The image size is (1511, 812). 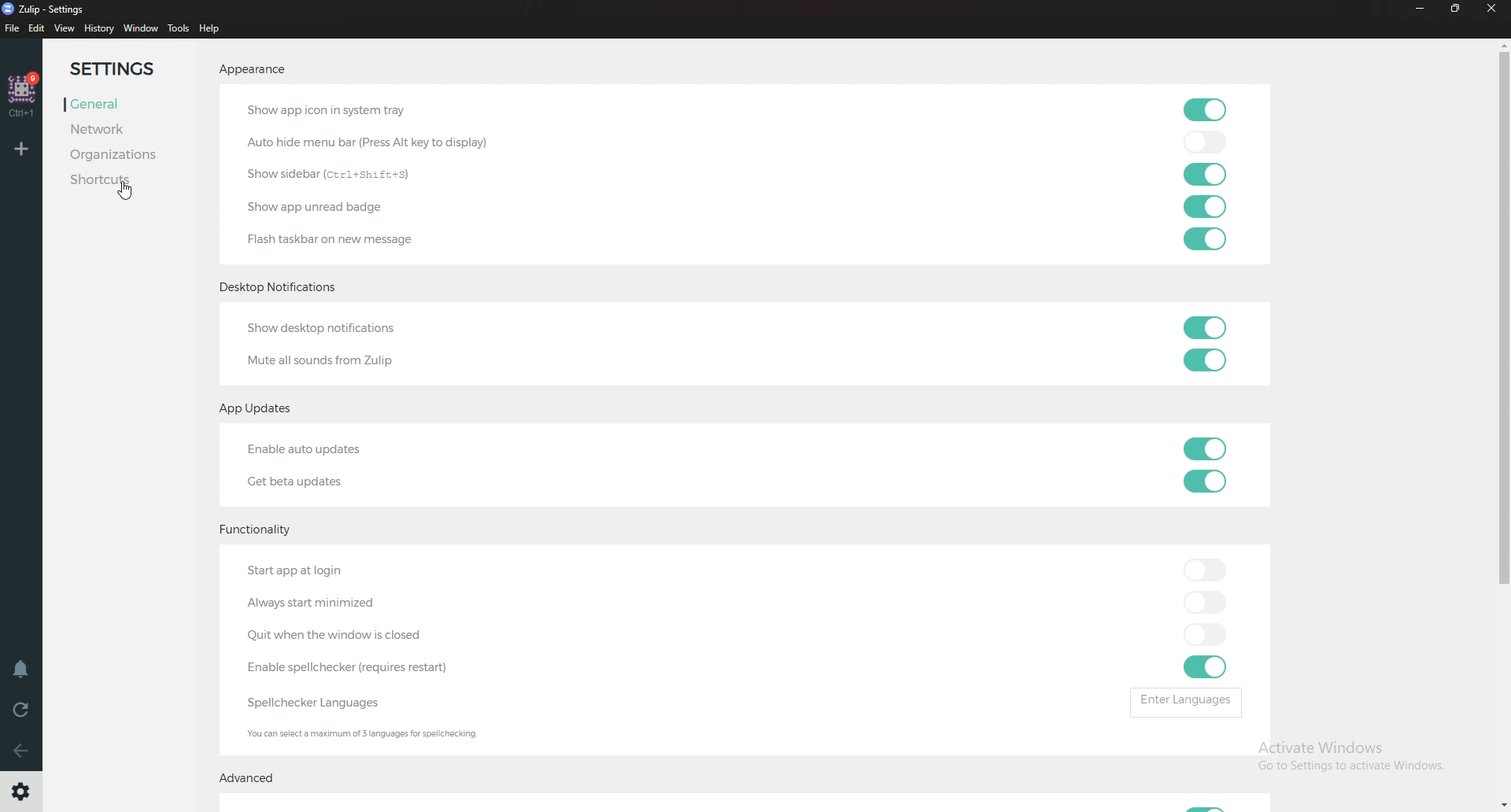 What do you see at coordinates (20, 670) in the screenshot?
I see `Enable do not disturb` at bounding box center [20, 670].